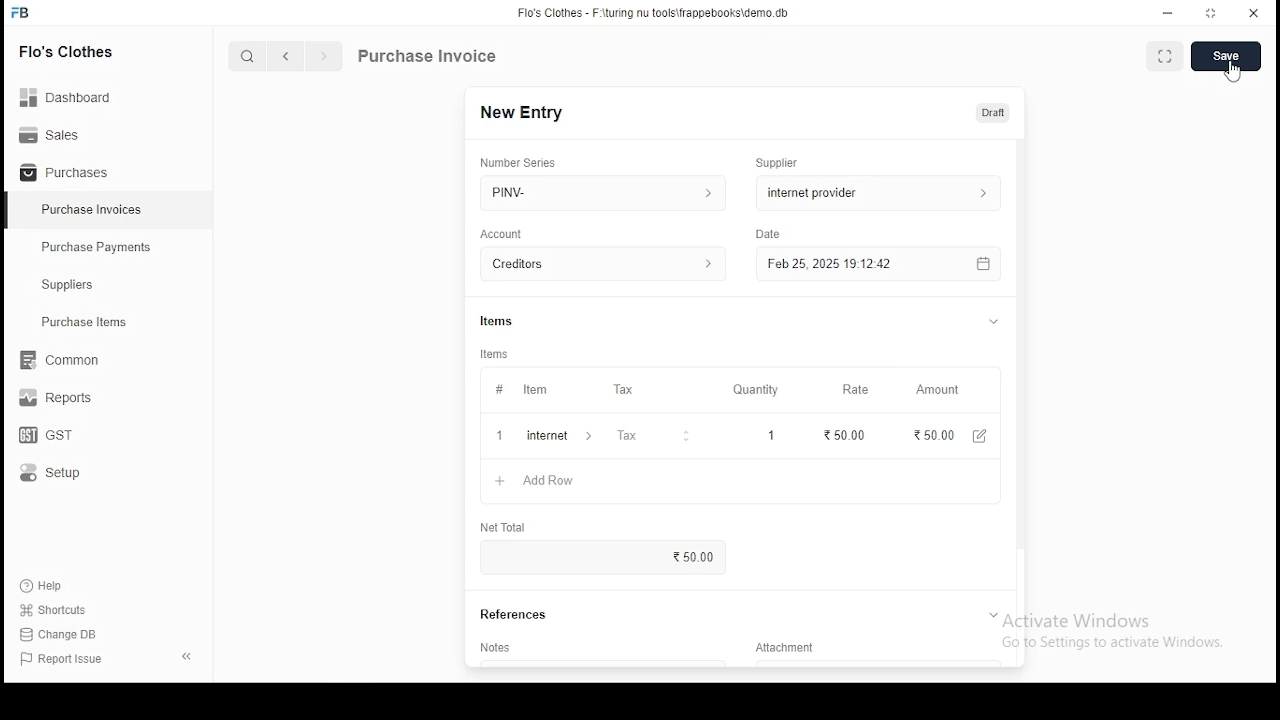 This screenshot has height=720, width=1280. I want to click on next, so click(324, 58).